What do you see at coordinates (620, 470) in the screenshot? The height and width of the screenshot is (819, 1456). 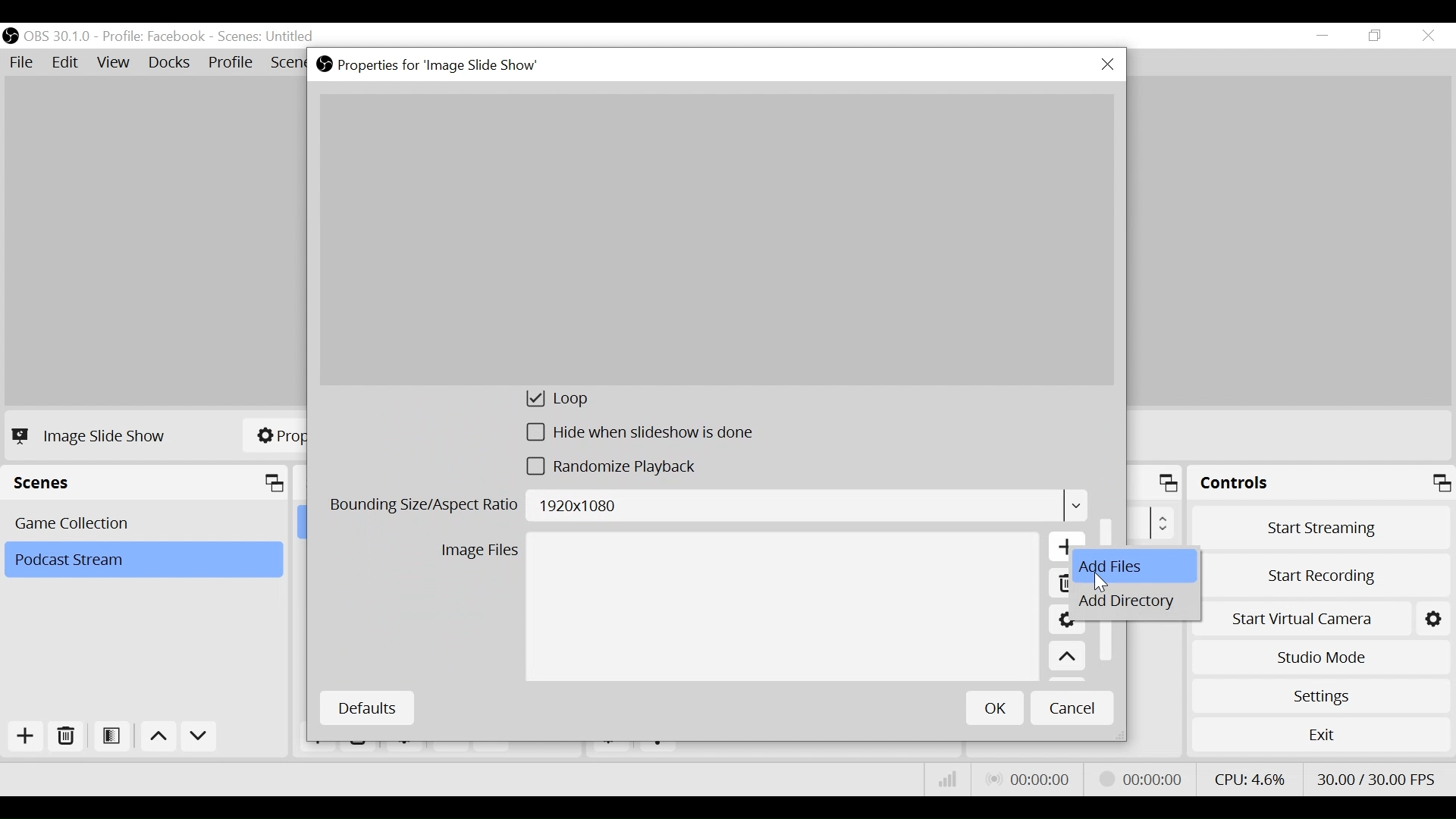 I see `(un)select randomize playback` at bounding box center [620, 470].